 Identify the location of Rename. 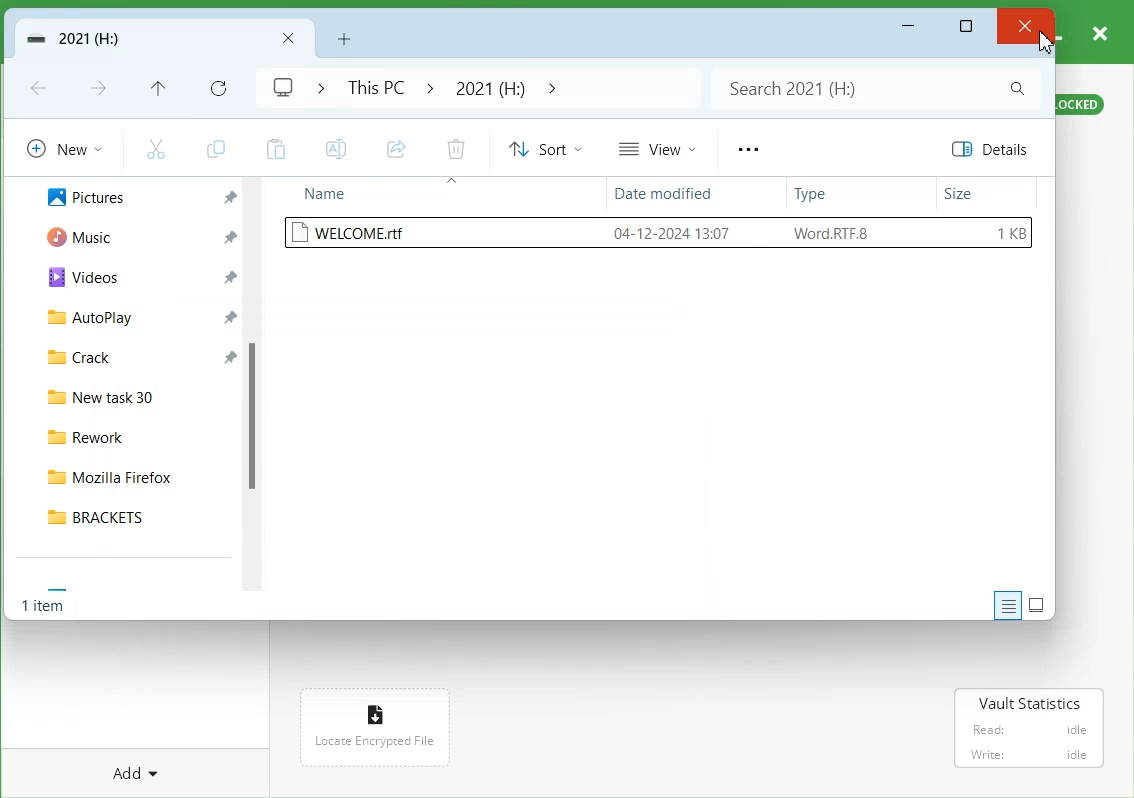
(334, 148).